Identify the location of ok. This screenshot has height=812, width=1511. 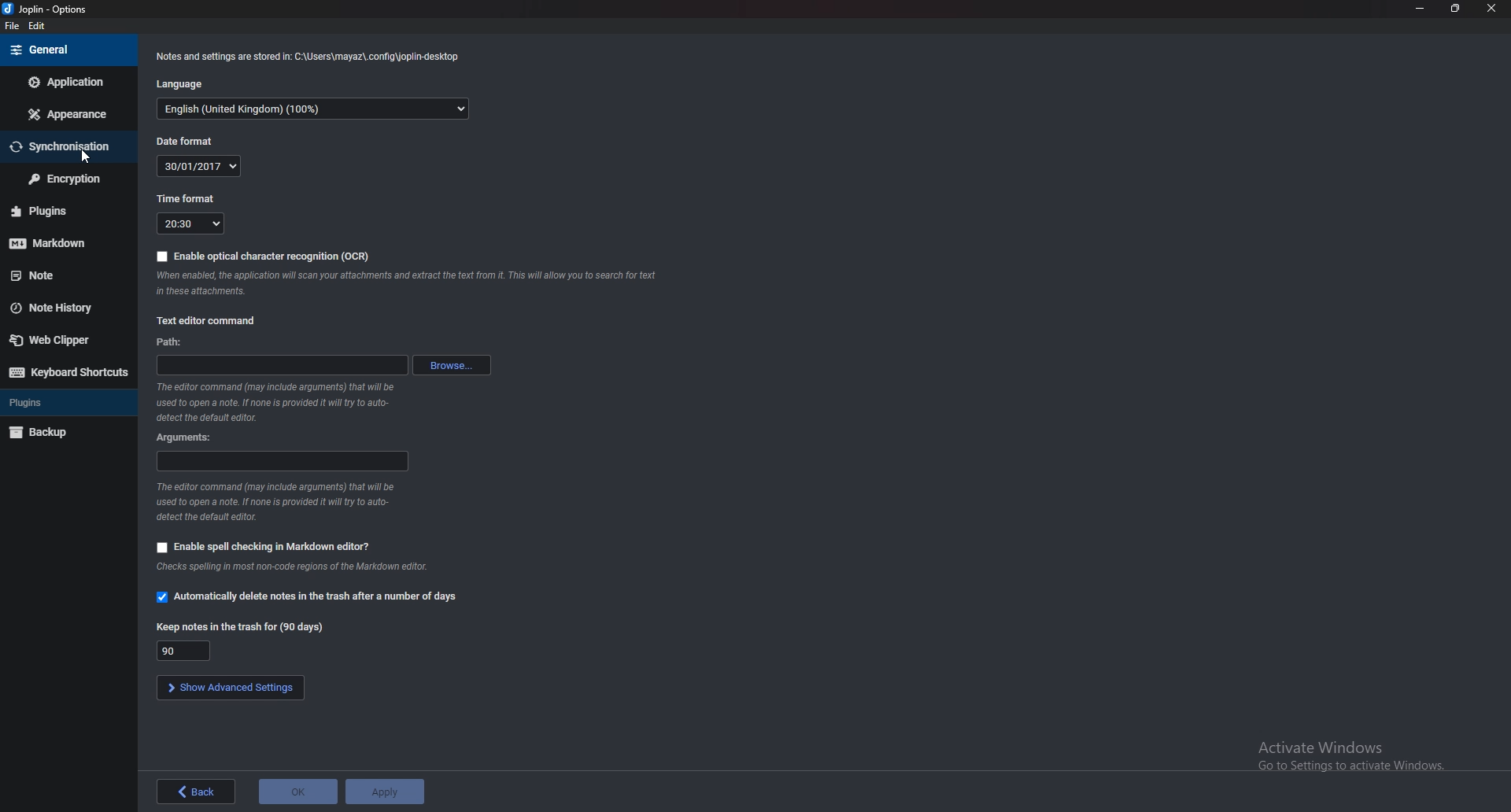
(296, 792).